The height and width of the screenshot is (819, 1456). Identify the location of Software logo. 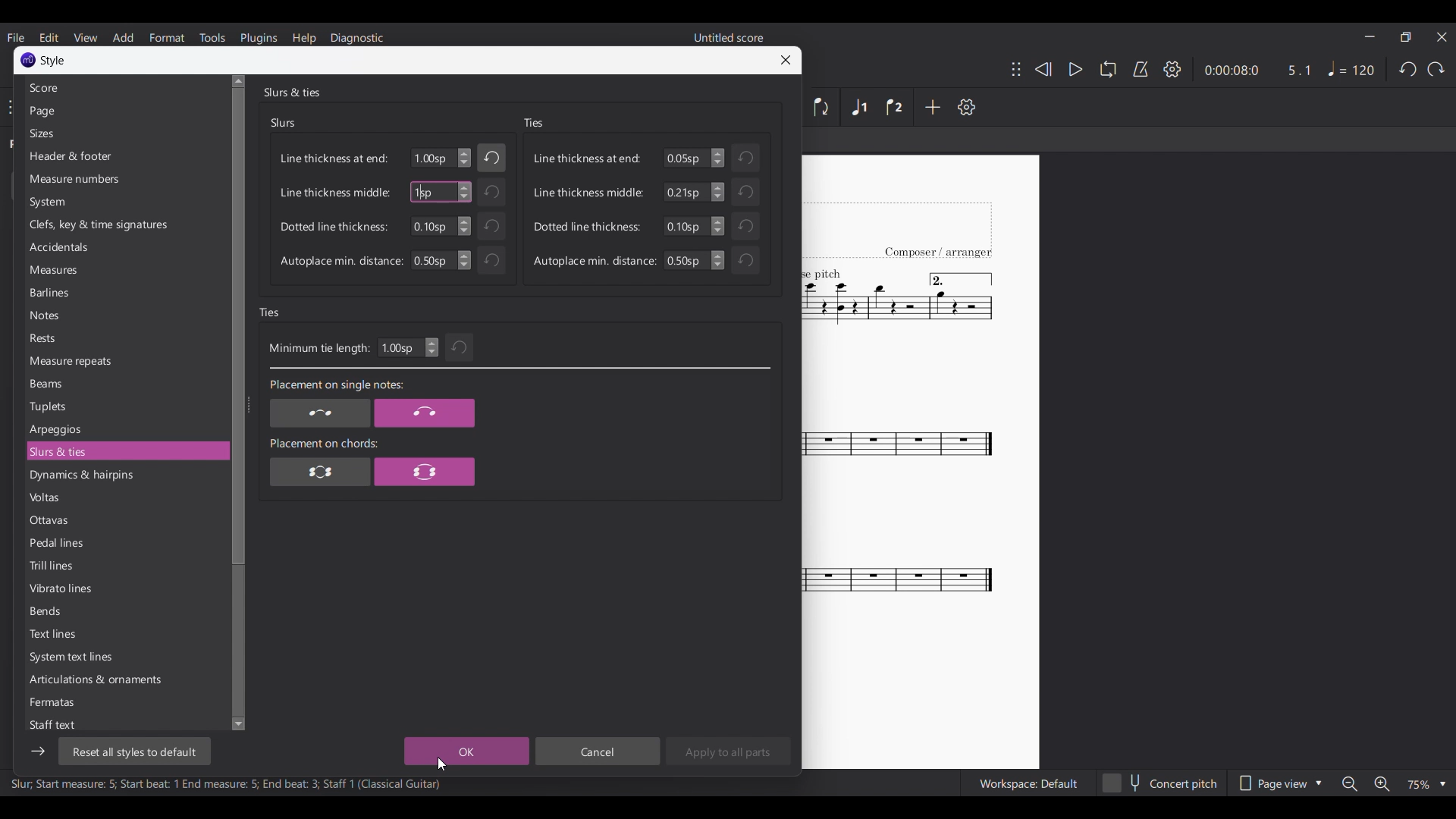
(28, 60).